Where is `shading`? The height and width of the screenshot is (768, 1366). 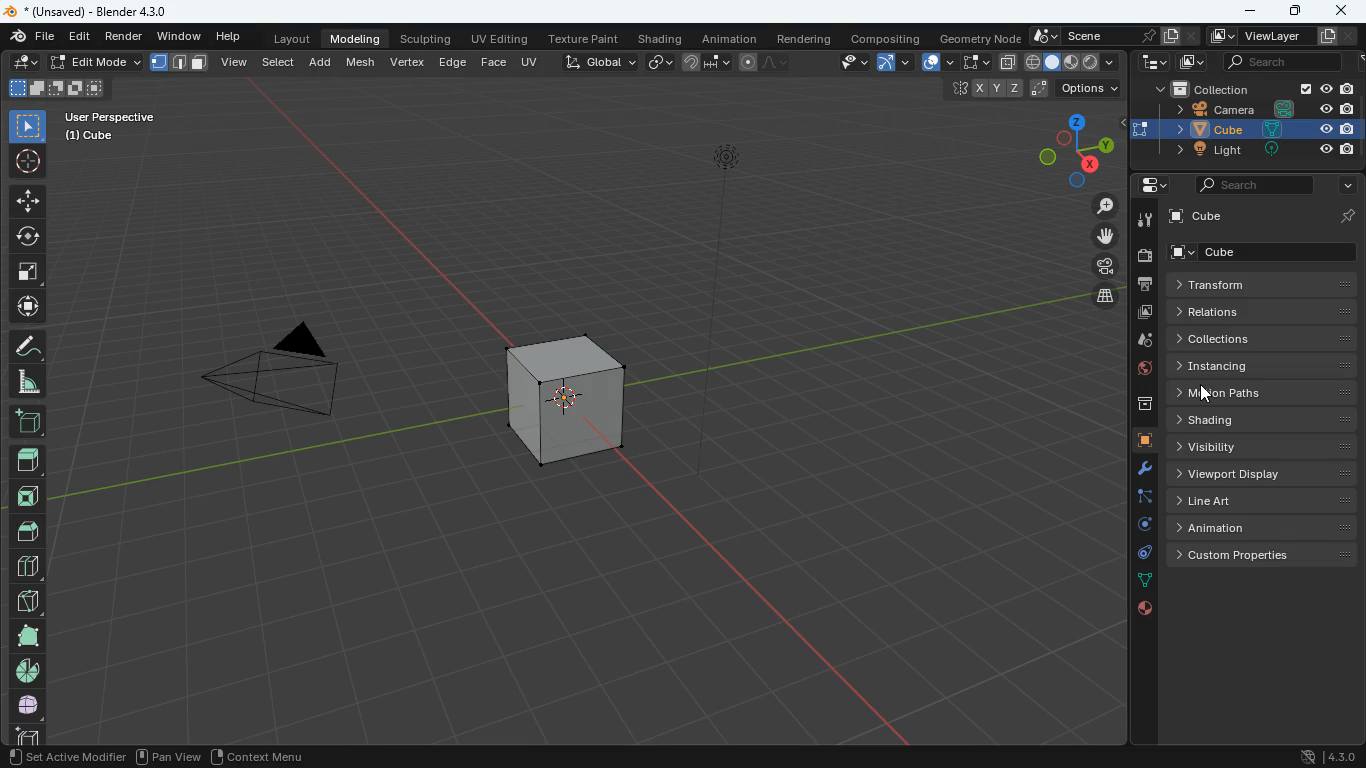 shading is located at coordinates (663, 40).